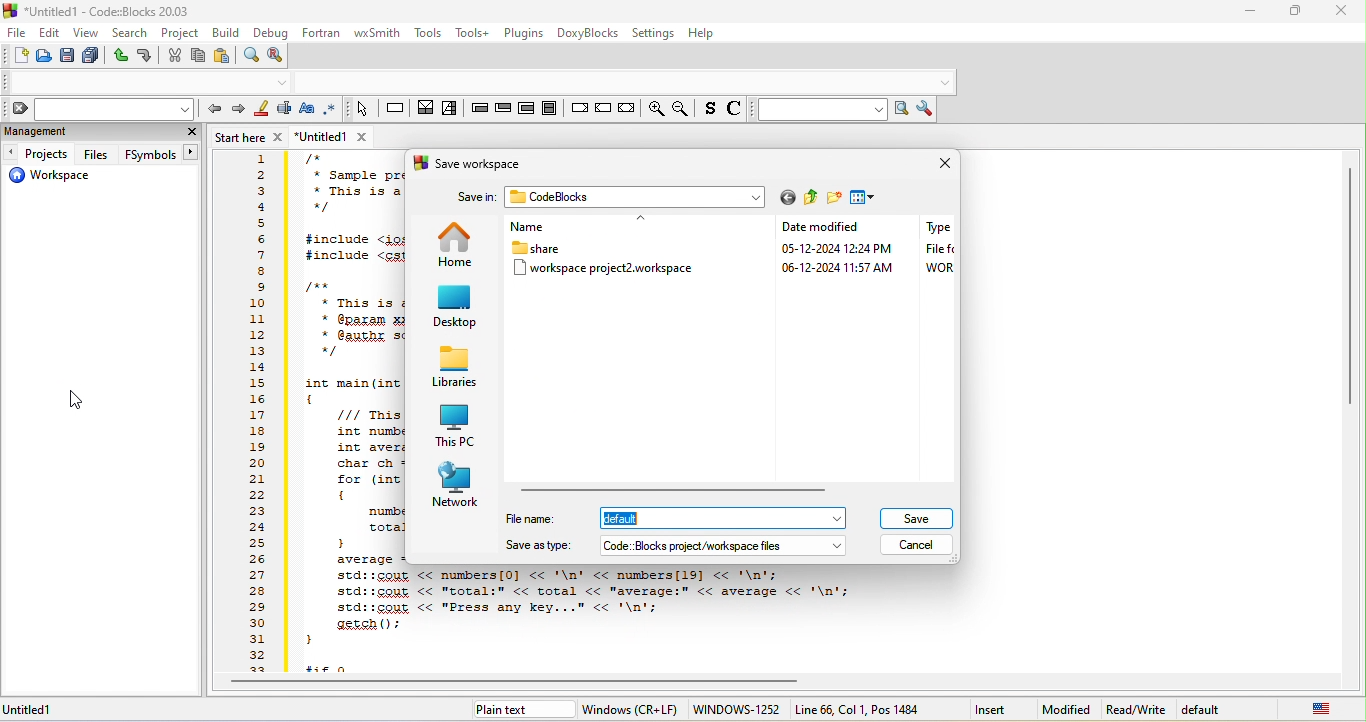 The width and height of the screenshot is (1366, 722). What do you see at coordinates (322, 32) in the screenshot?
I see `fortran` at bounding box center [322, 32].